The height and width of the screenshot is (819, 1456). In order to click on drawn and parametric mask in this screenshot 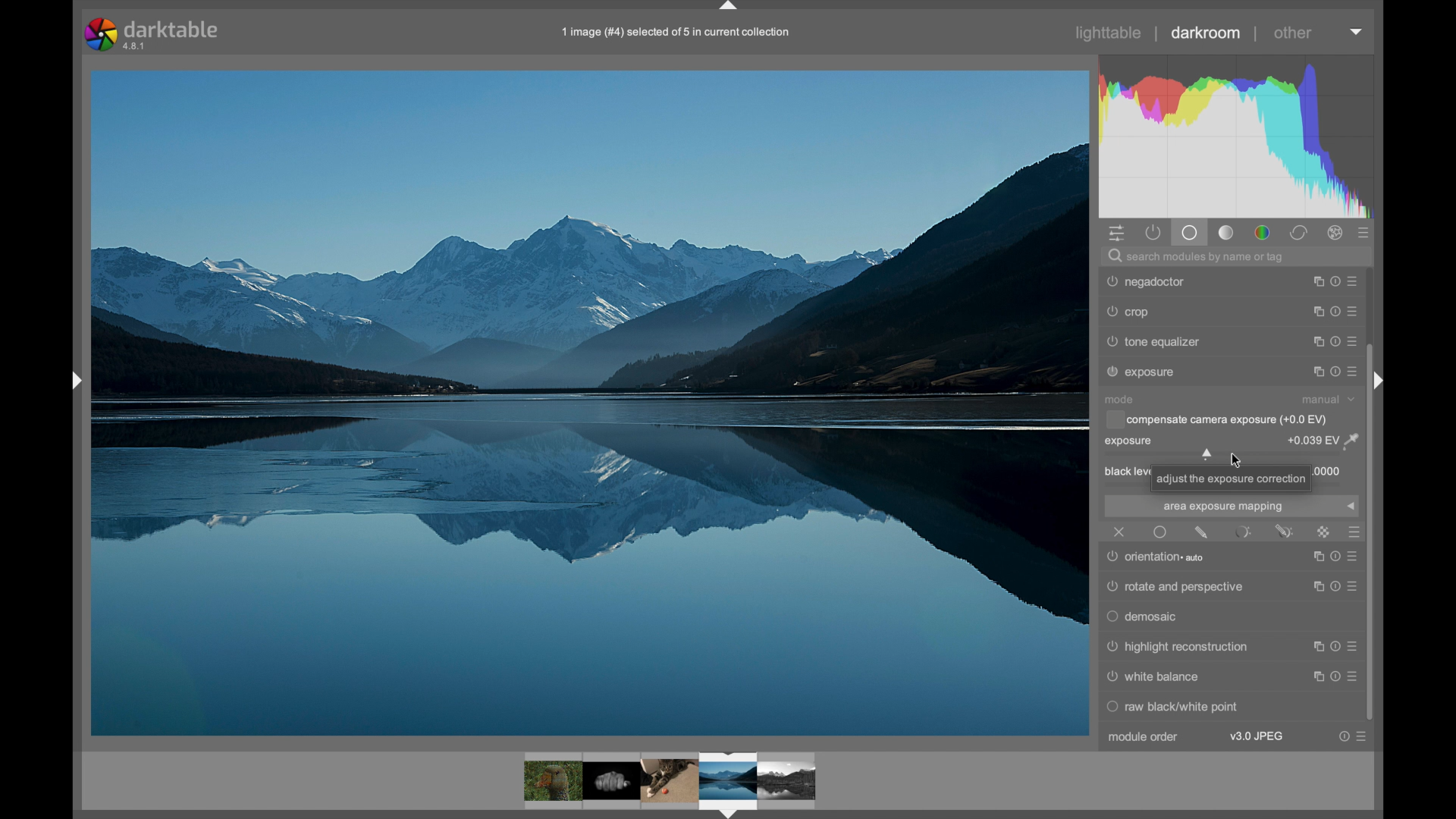, I will do `click(1285, 531)`.